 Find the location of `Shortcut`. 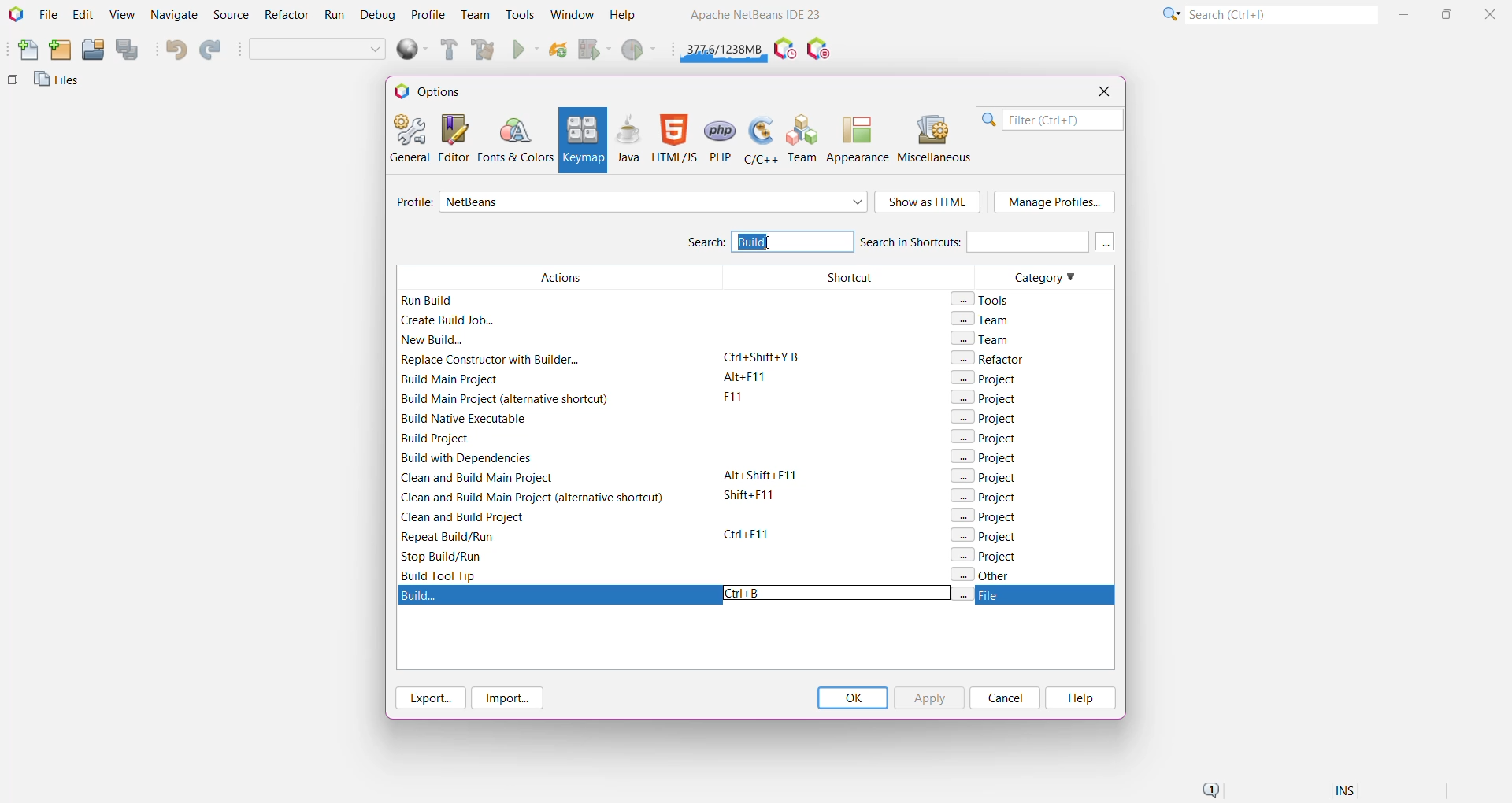

Shortcut is located at coordinates (842, 424).